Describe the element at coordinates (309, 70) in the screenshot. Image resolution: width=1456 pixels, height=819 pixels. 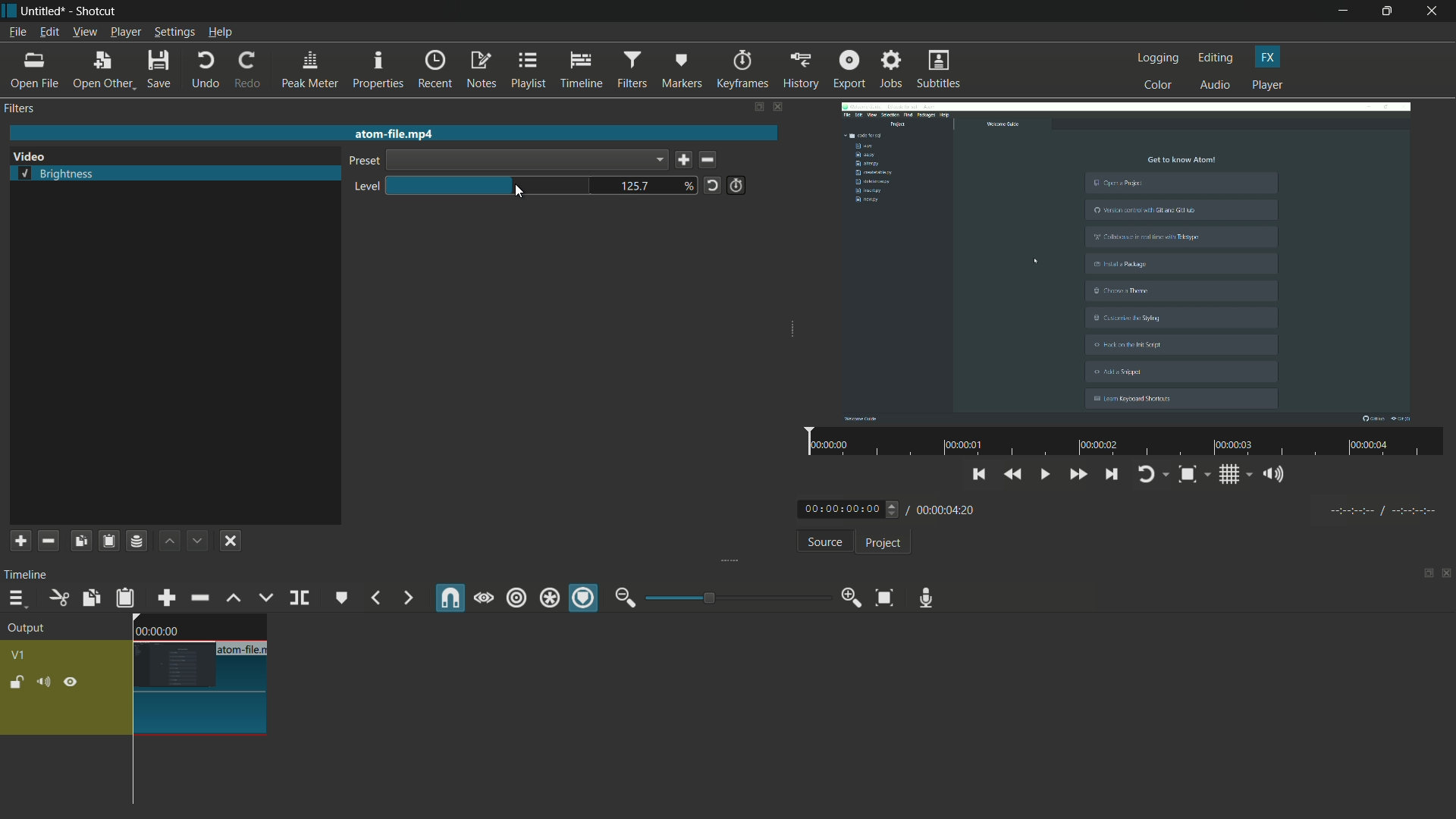
I see `peak meter` at that location.